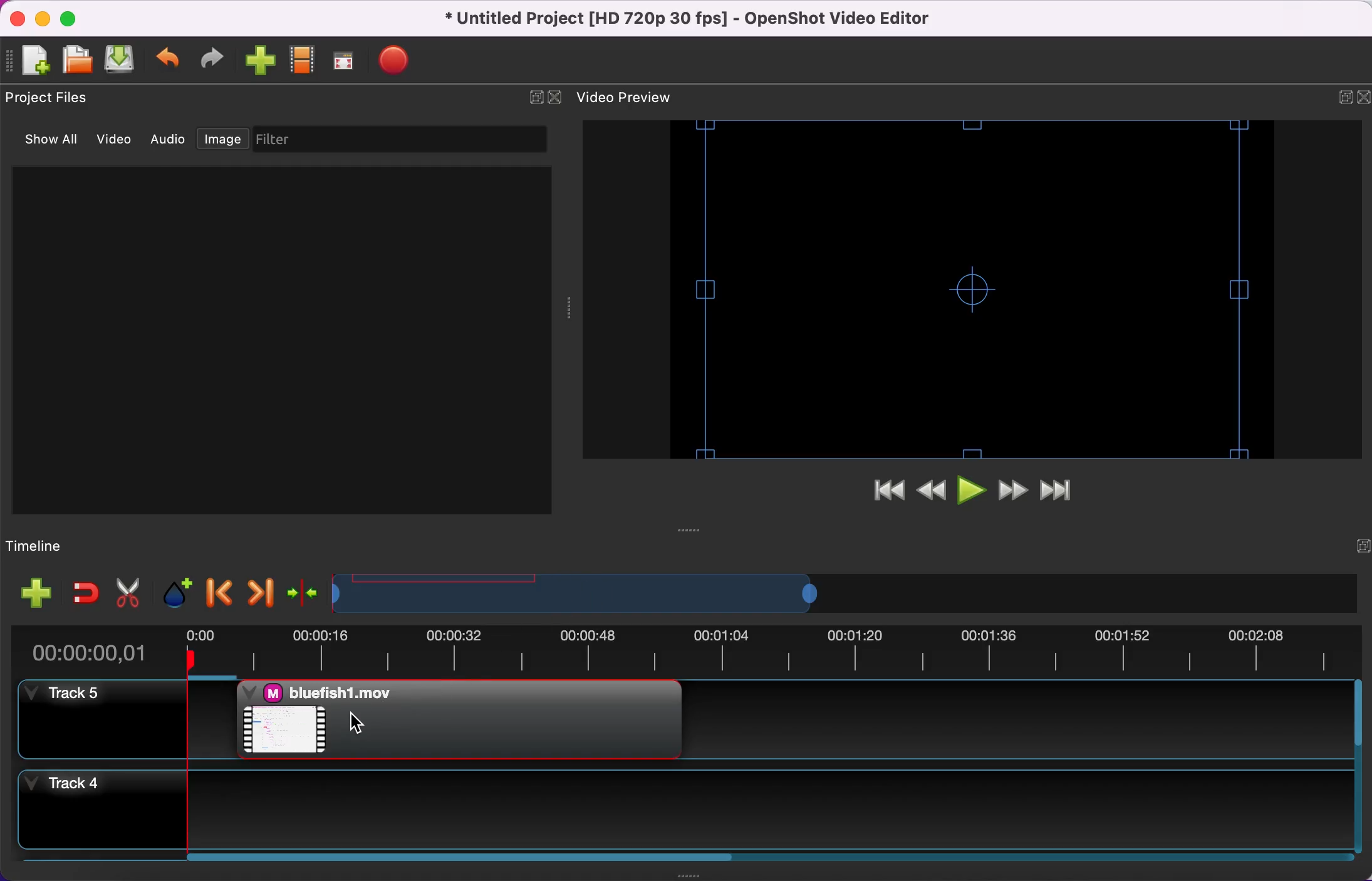 The width and height of the screenshot is (1372, 881). I want to click on close, so click(1363, 98).